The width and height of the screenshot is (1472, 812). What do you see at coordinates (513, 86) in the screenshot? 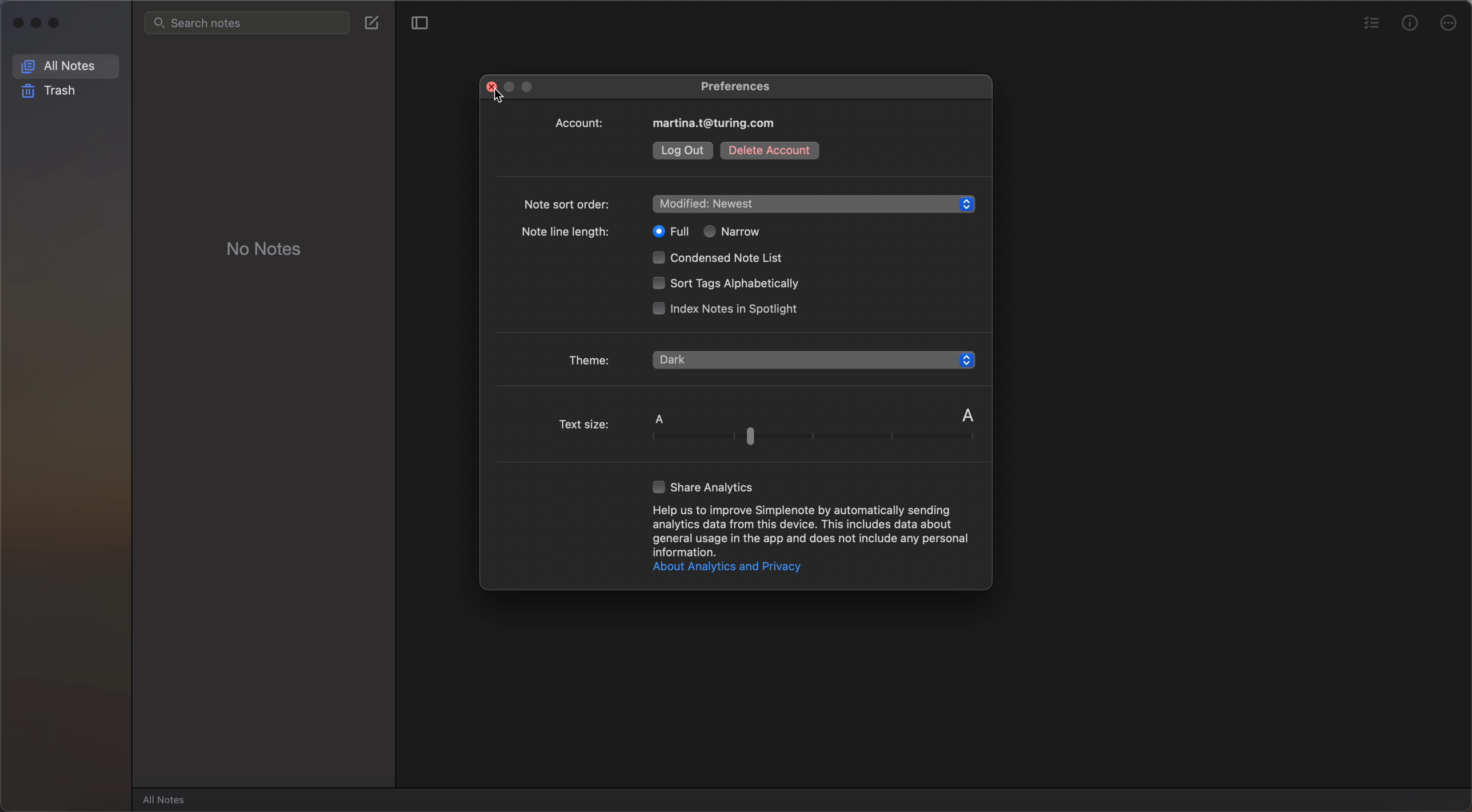
I see `minimize Simplenote` at bounding box center [513, 86].